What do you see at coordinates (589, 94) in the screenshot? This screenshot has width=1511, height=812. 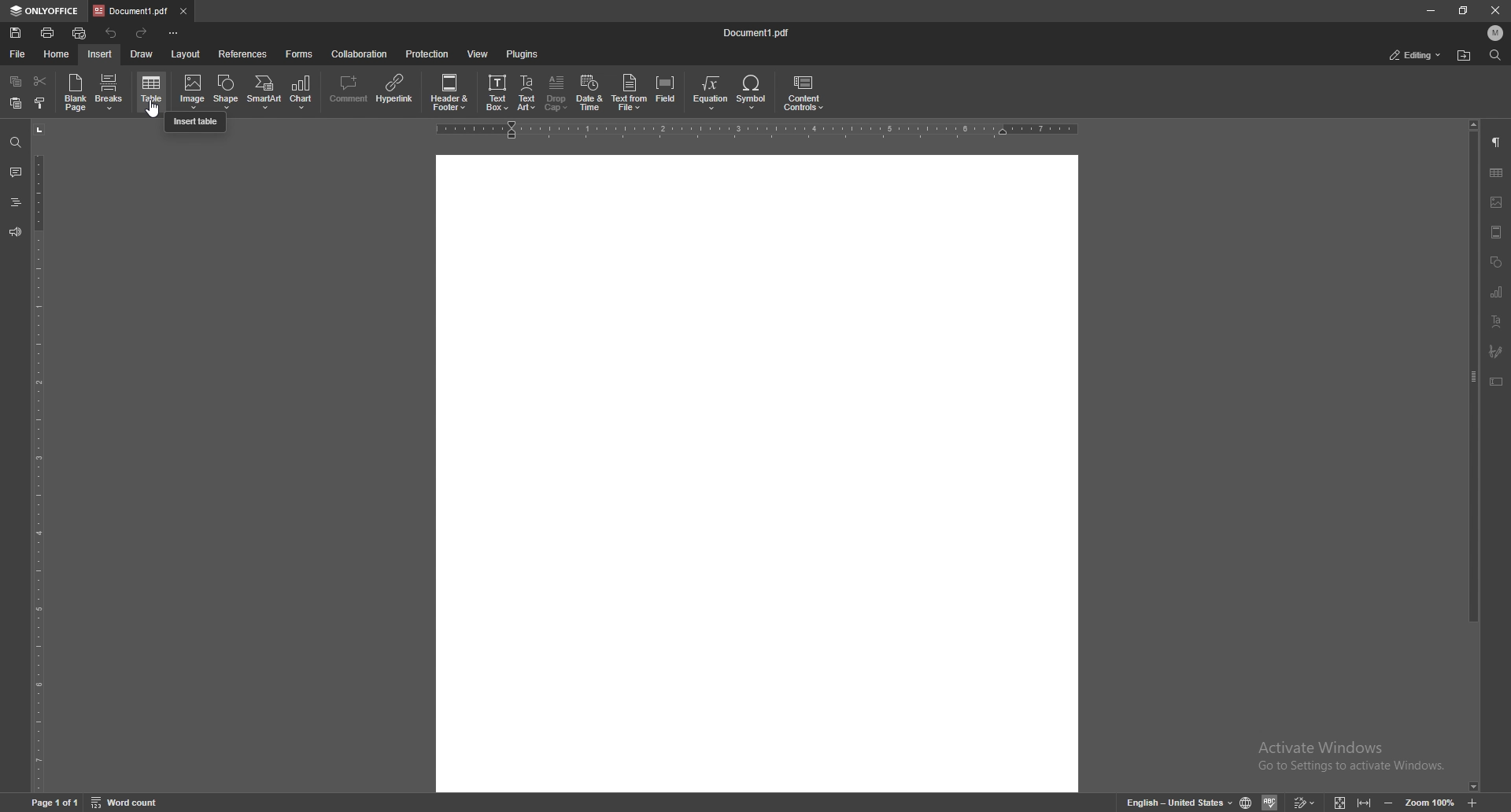 I see `date and time` at bounding box center [589, 94].